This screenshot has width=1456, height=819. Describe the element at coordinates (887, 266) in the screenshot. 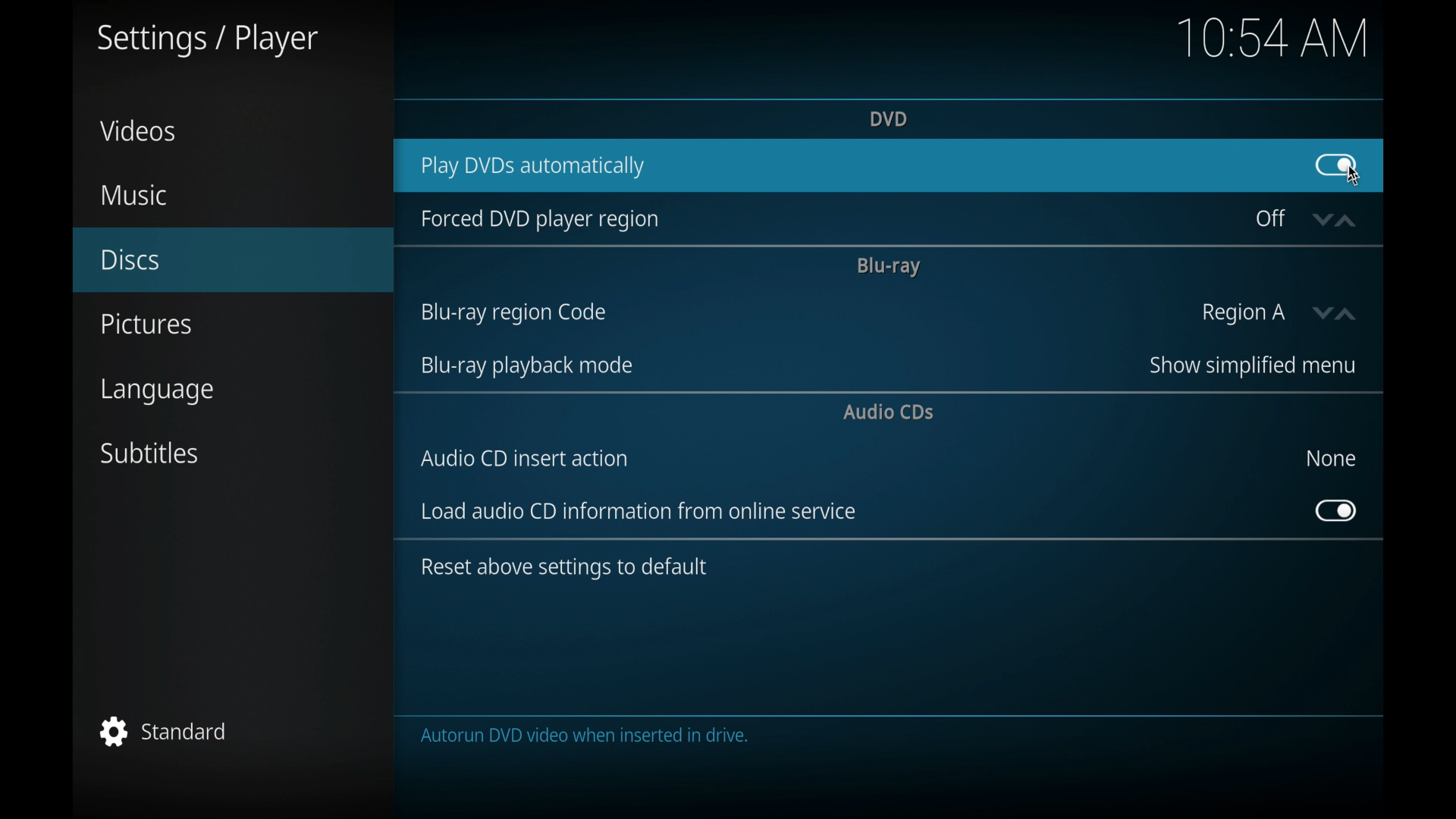

I see `blu-ray` at that location.